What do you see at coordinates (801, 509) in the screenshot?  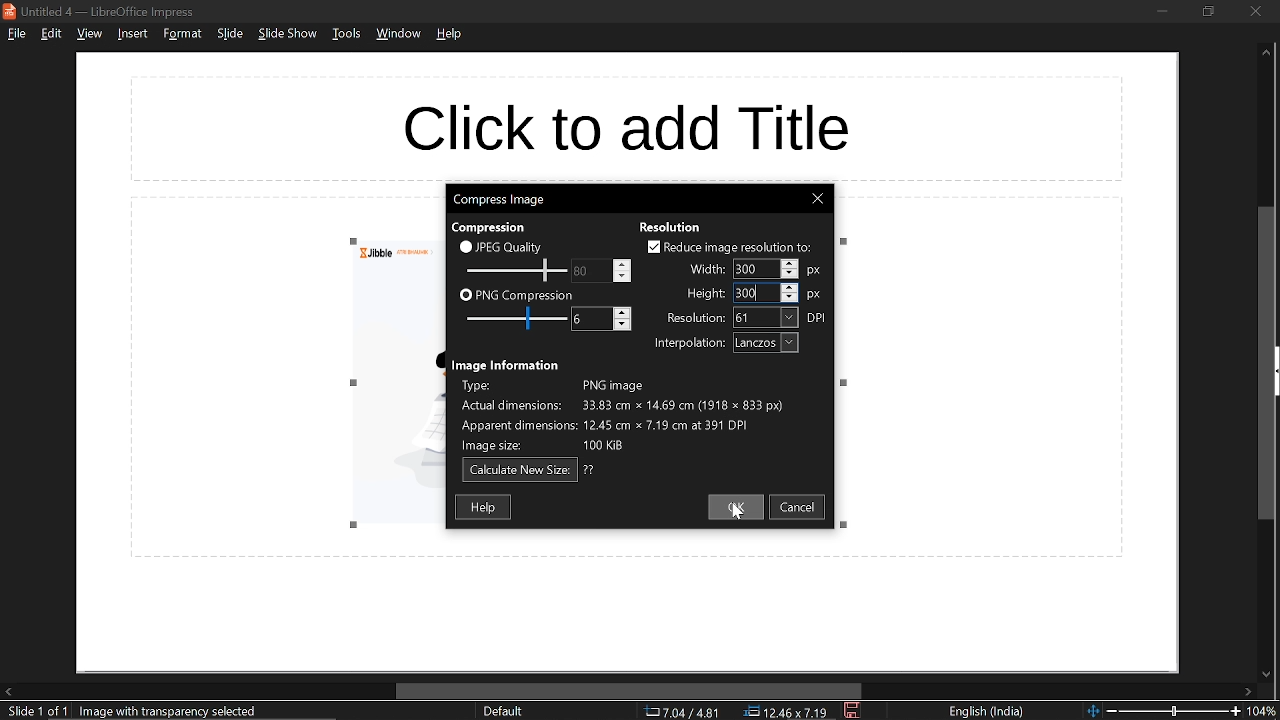 I see `cancel` at bounding box center [801, 509].